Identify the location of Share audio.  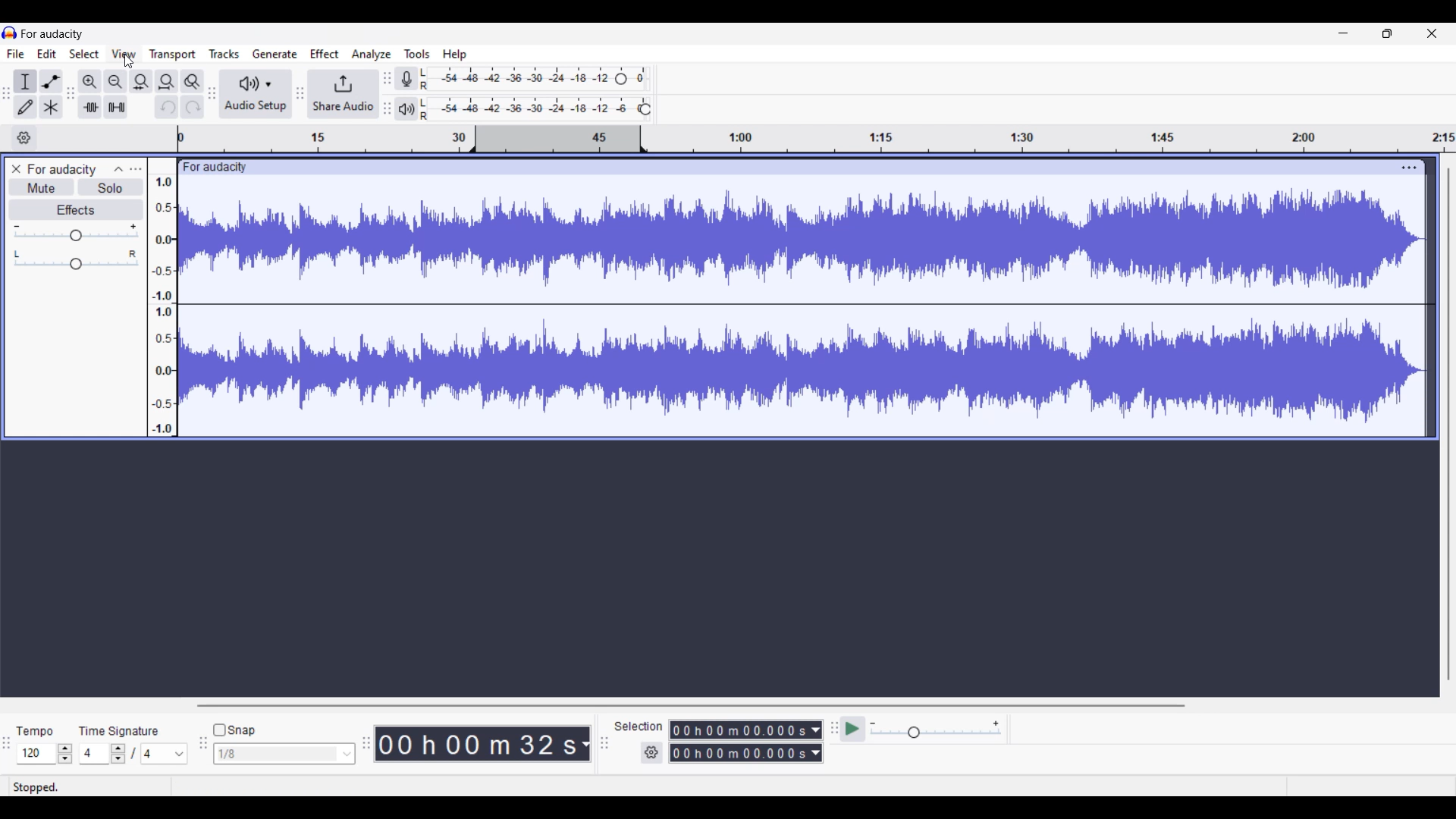
(343, 94).